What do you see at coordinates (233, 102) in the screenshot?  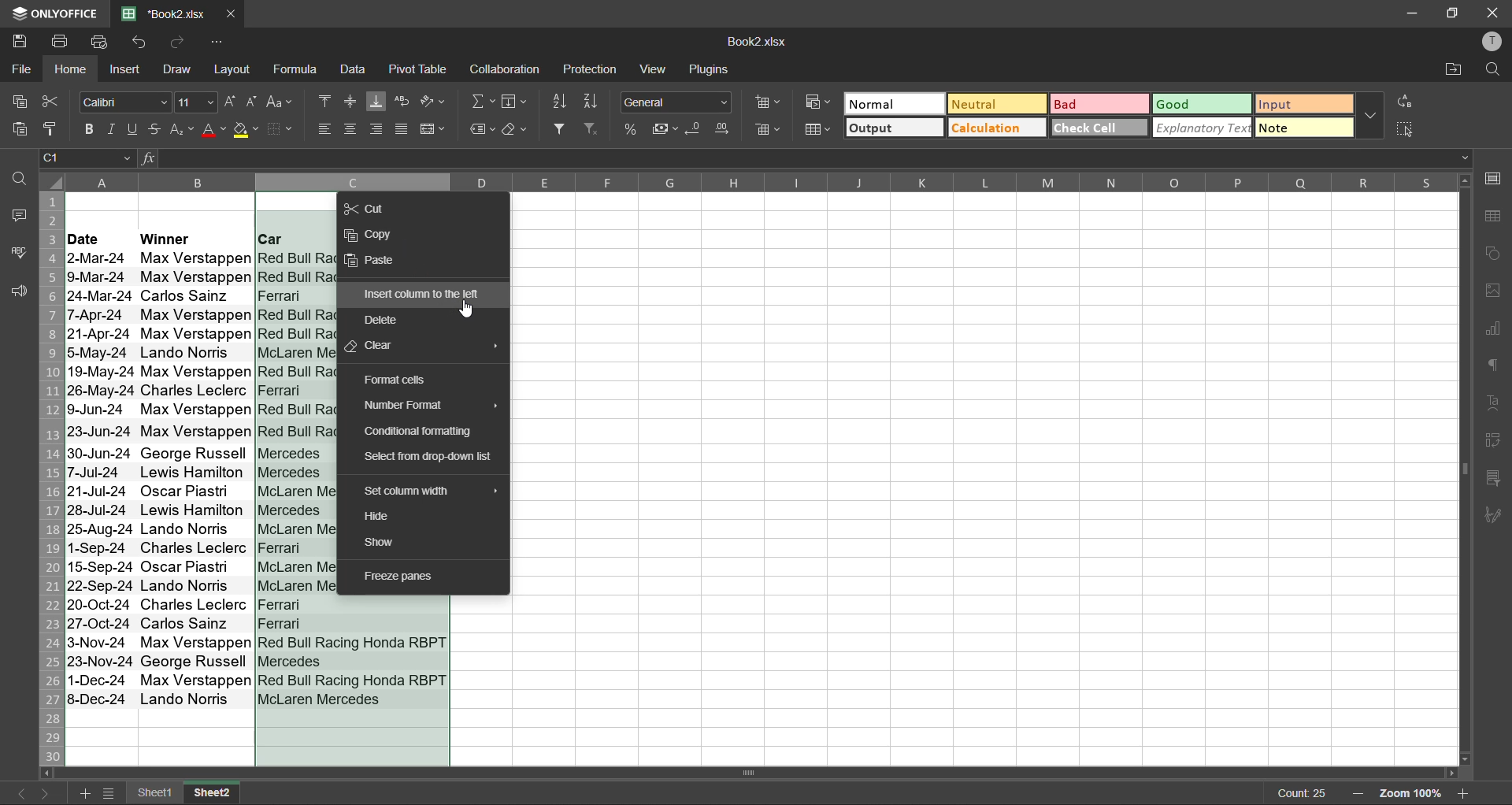 I see `increment size` at bounding box center [233, 102].